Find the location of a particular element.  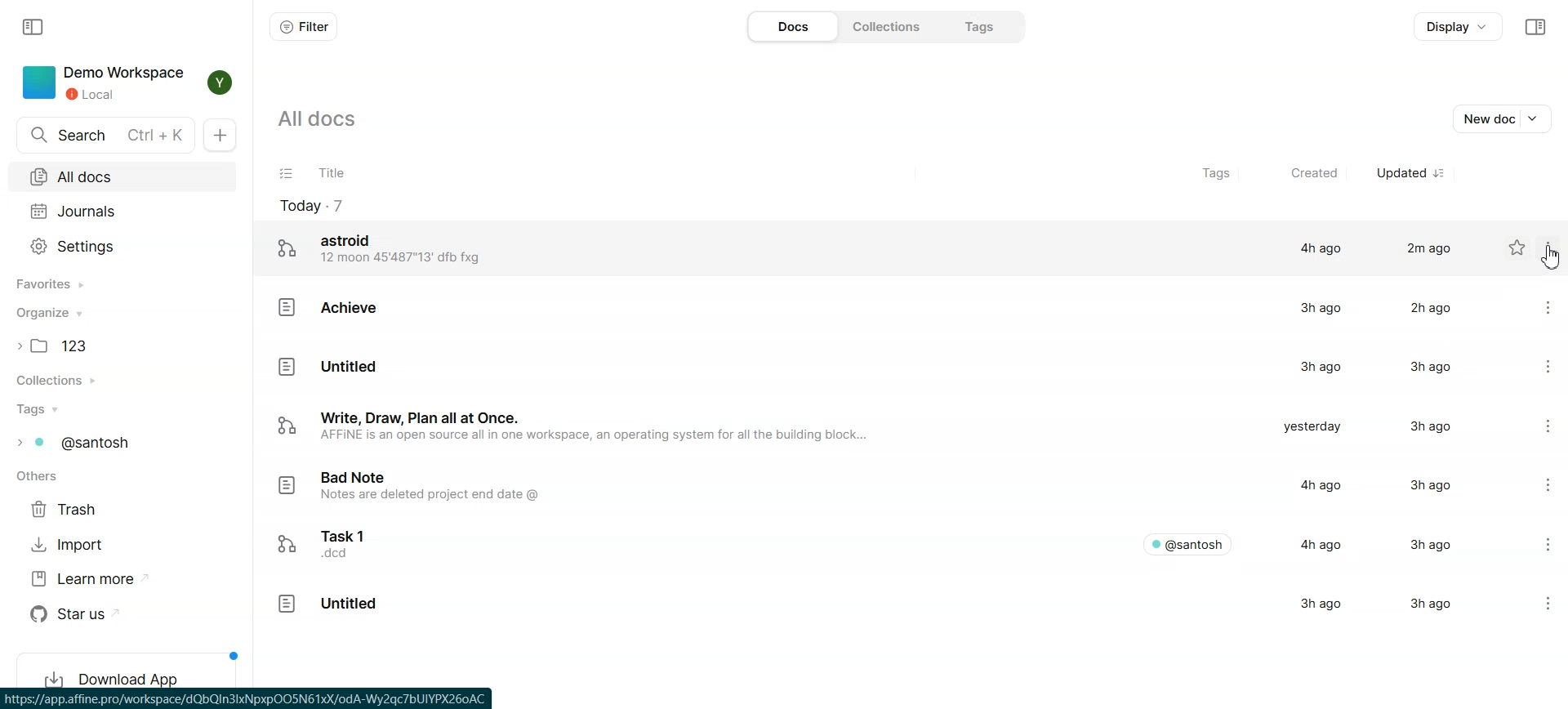

all docs is located at coordinates (333, 123).